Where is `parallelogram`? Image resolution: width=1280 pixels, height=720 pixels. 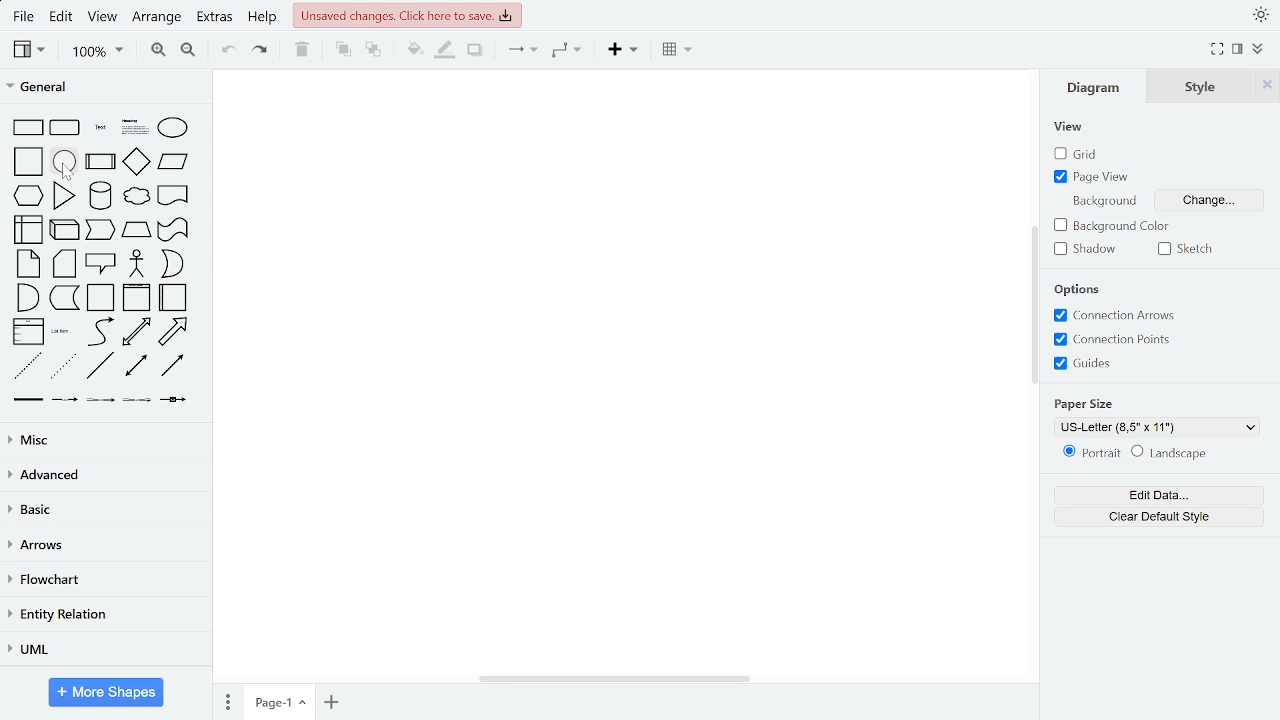
parallelogram is located at coordinates (173, 163).